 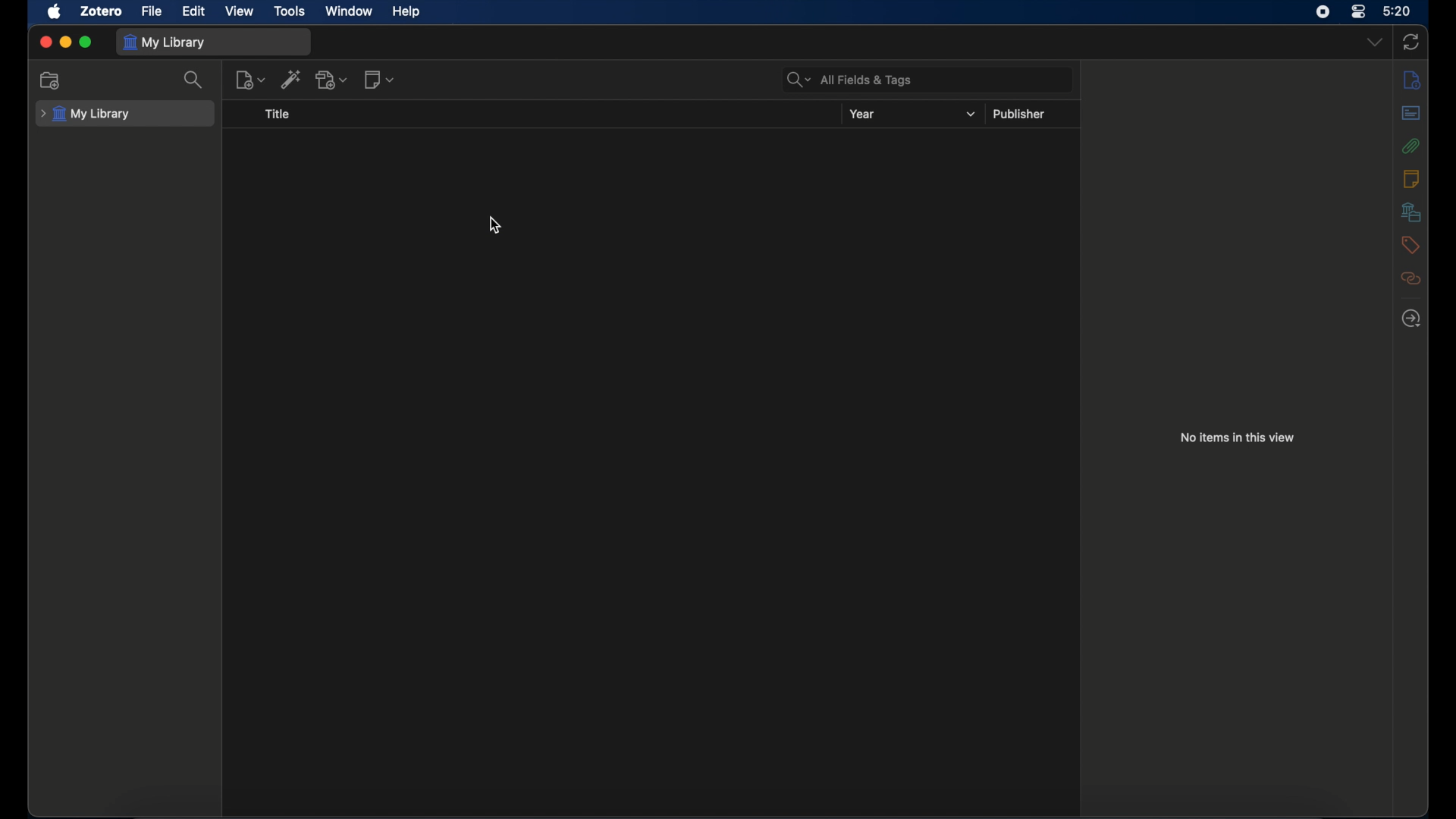 What do you see at coordinates (54, 11) in the screenshot?
I see `apple icon` at bounding box center [54, 11].